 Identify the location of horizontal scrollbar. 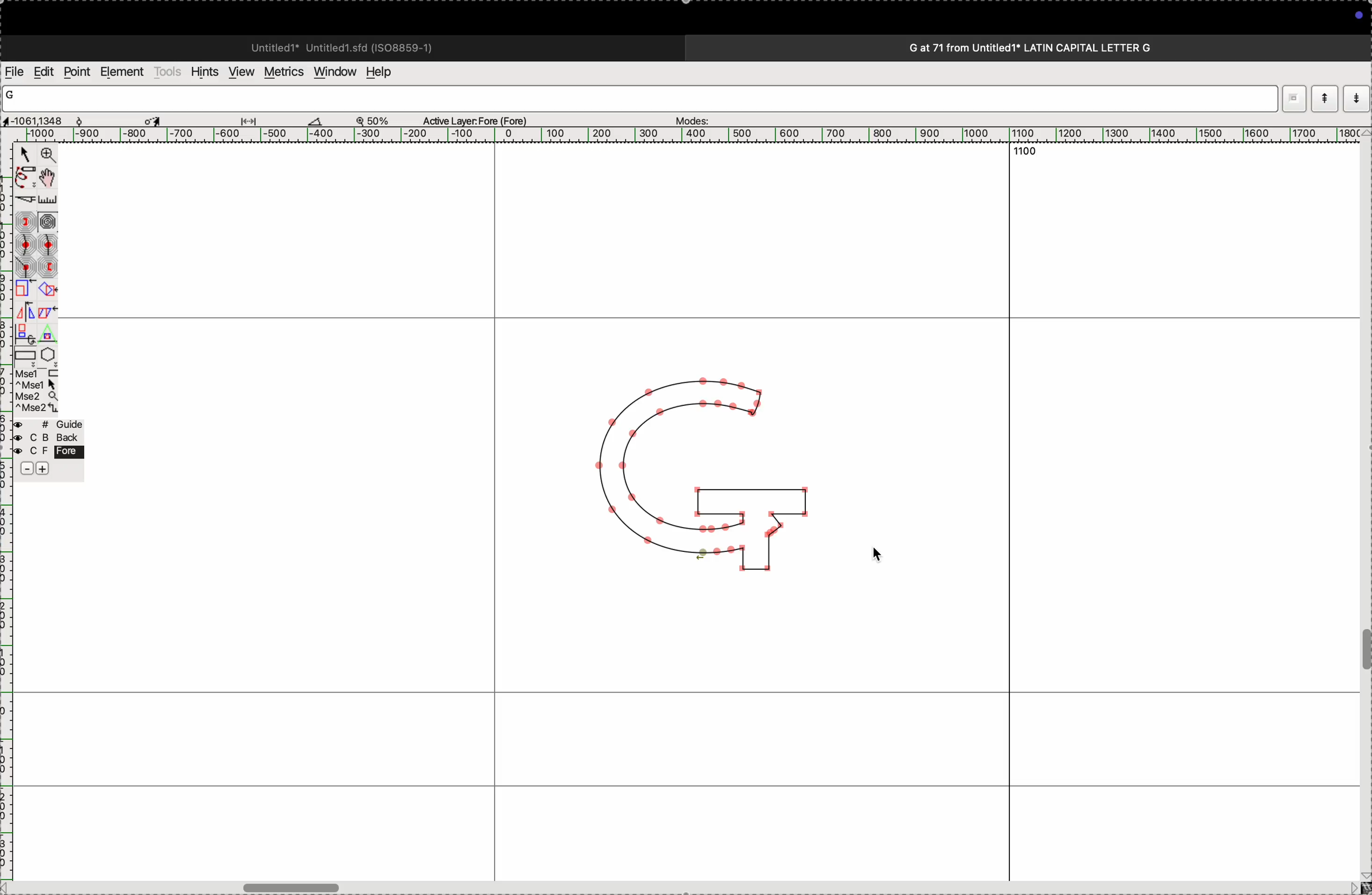
(689, 885).